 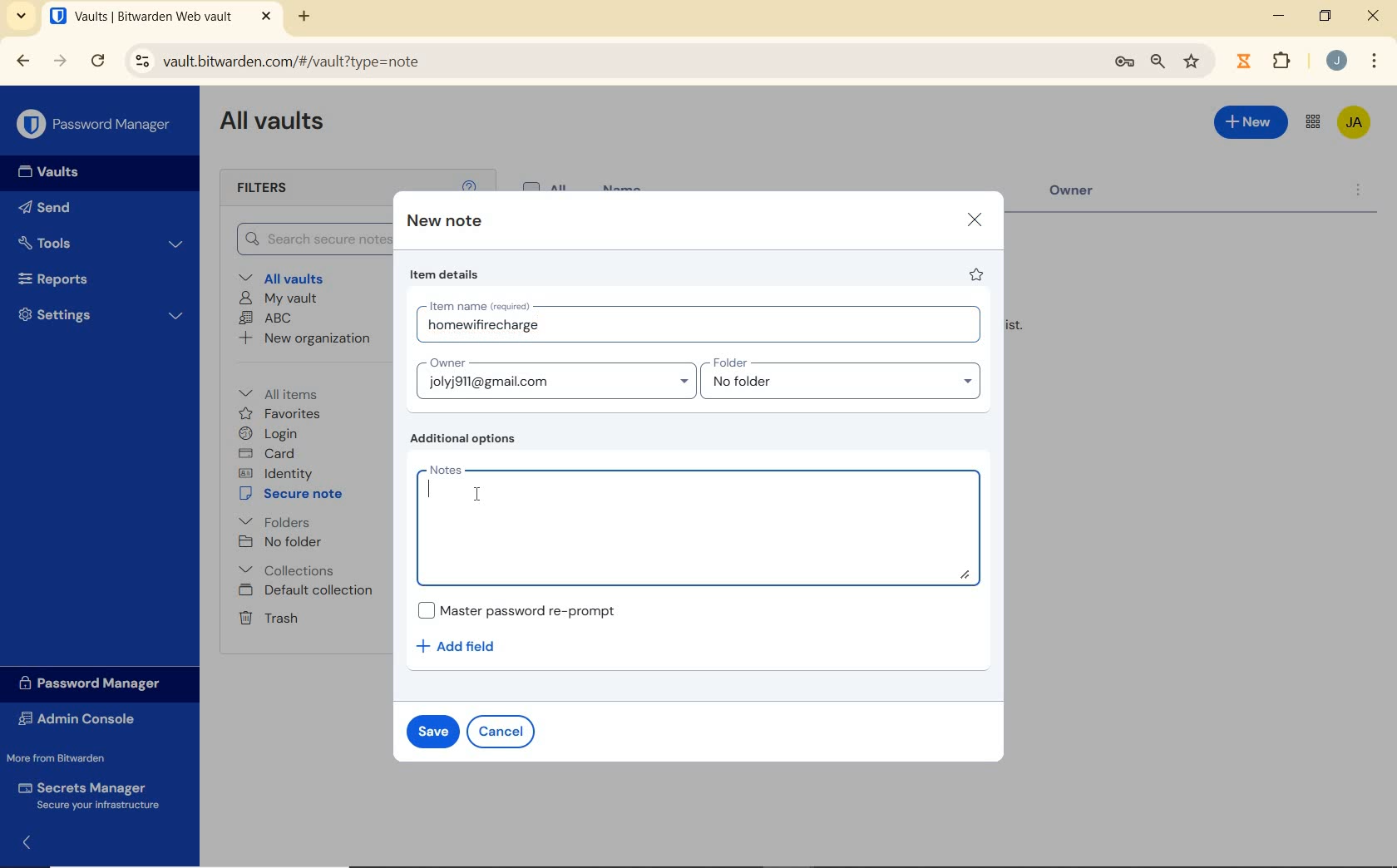 What do you see at coordinates (93, 795) in the screenshot?
I see `Secrets Manager` at bounding box center [93, 795].